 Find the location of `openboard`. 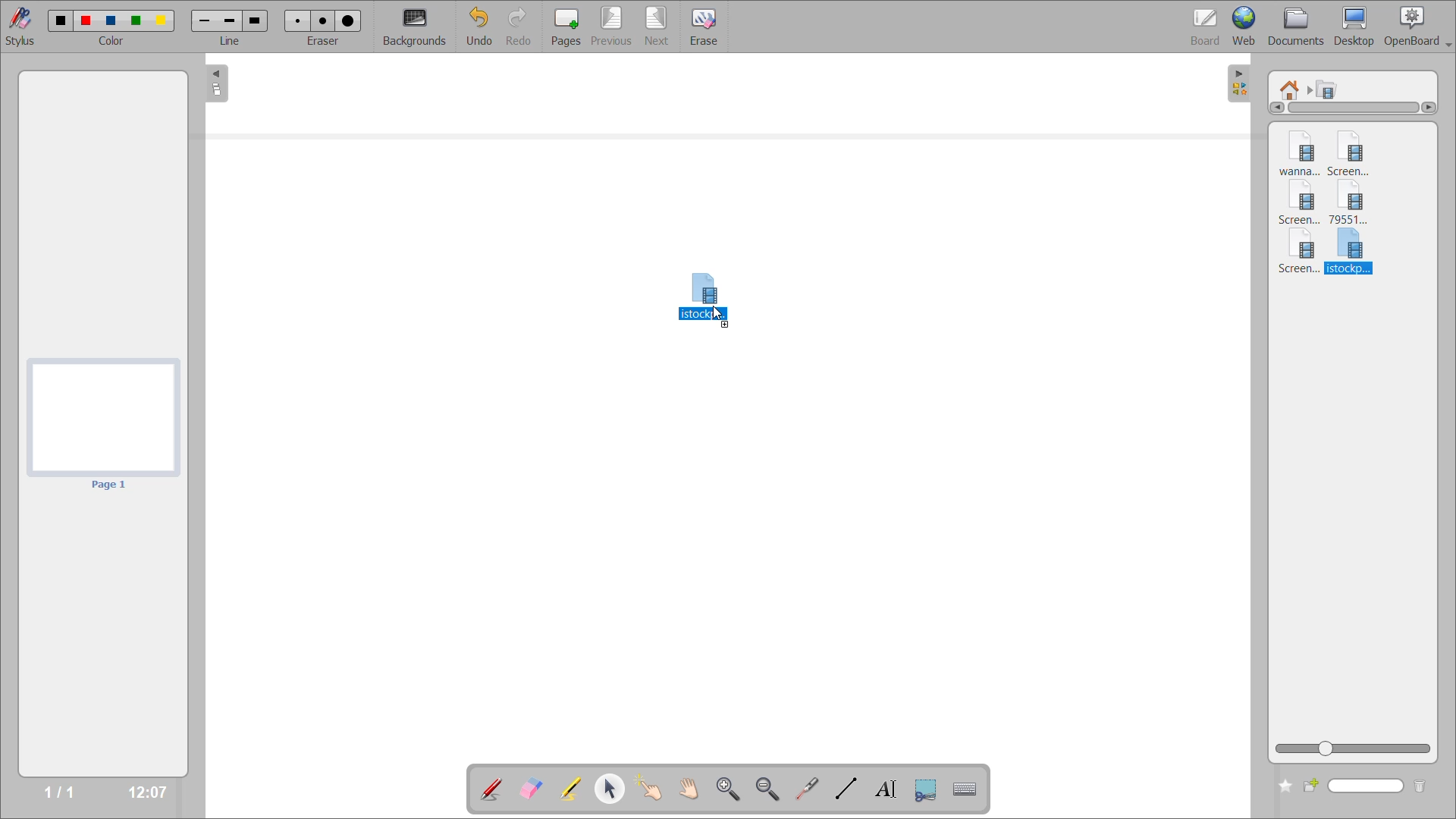

openboard is located at coordinates (1421, 24).